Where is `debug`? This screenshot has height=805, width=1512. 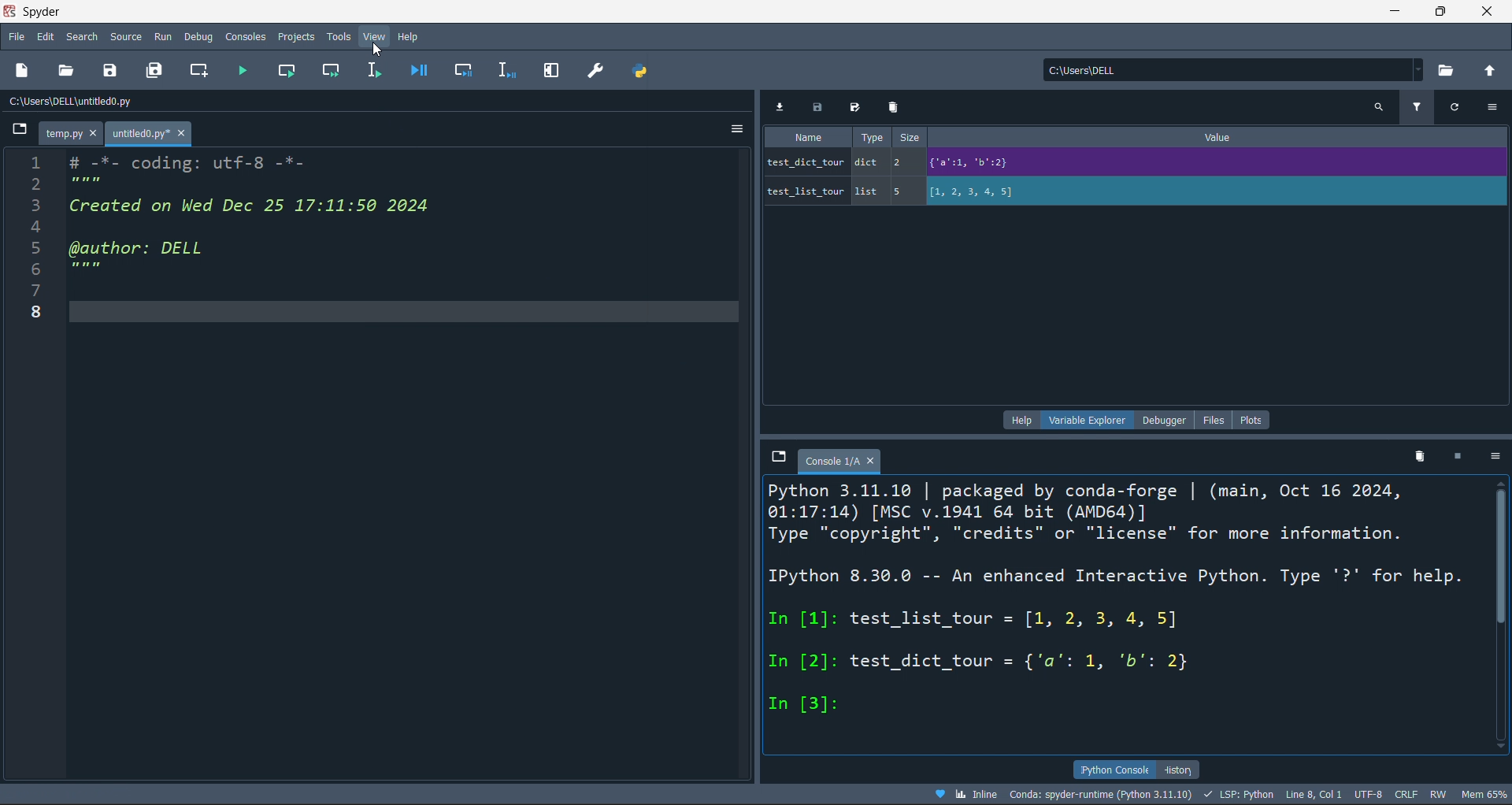 debug is located at coordinates (197, 36).